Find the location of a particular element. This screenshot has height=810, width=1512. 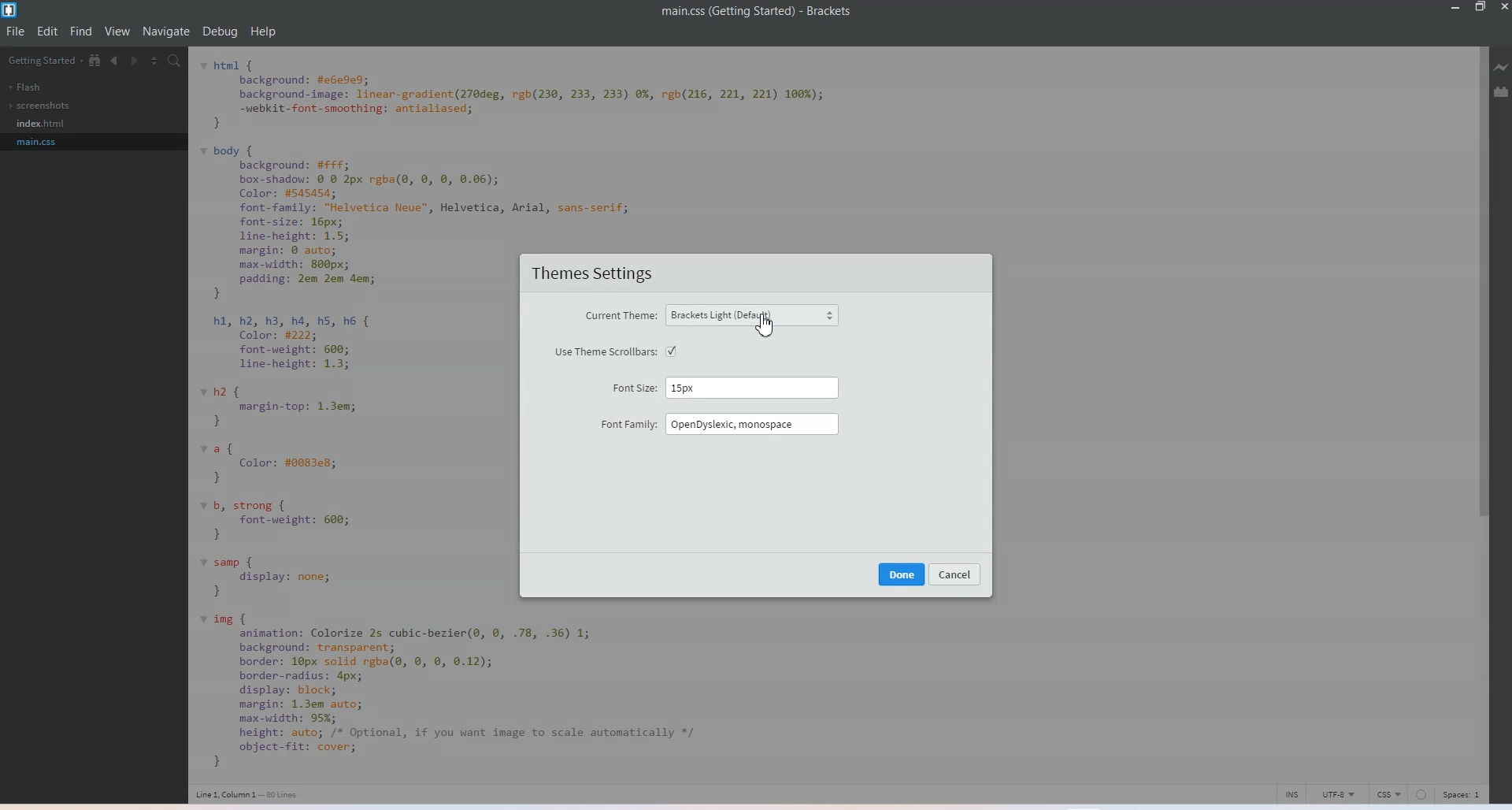

Getting Started is located at coordinates (43, 60).